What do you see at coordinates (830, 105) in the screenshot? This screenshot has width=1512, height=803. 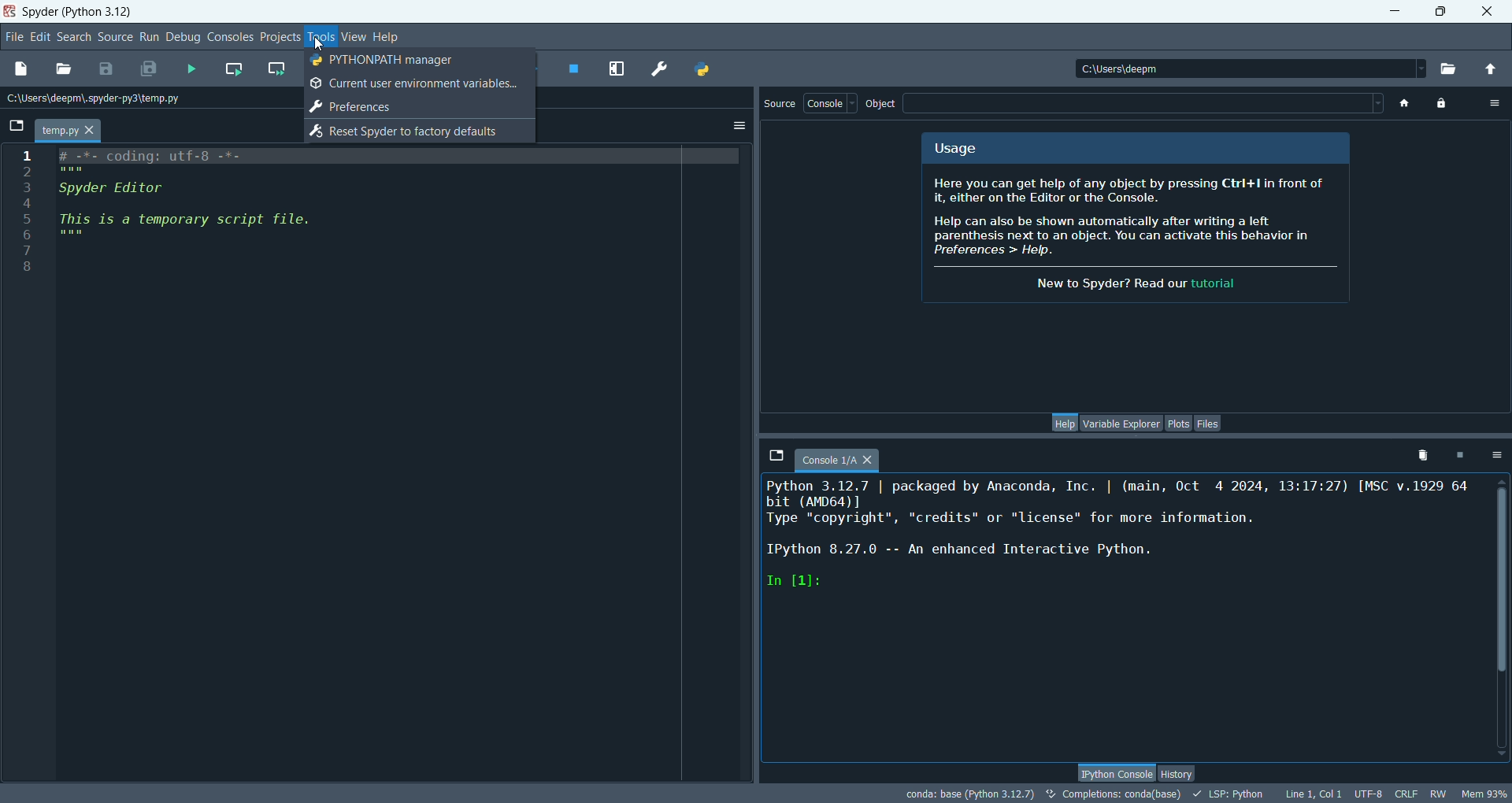 I see `console` at bounding box center [830, 105].